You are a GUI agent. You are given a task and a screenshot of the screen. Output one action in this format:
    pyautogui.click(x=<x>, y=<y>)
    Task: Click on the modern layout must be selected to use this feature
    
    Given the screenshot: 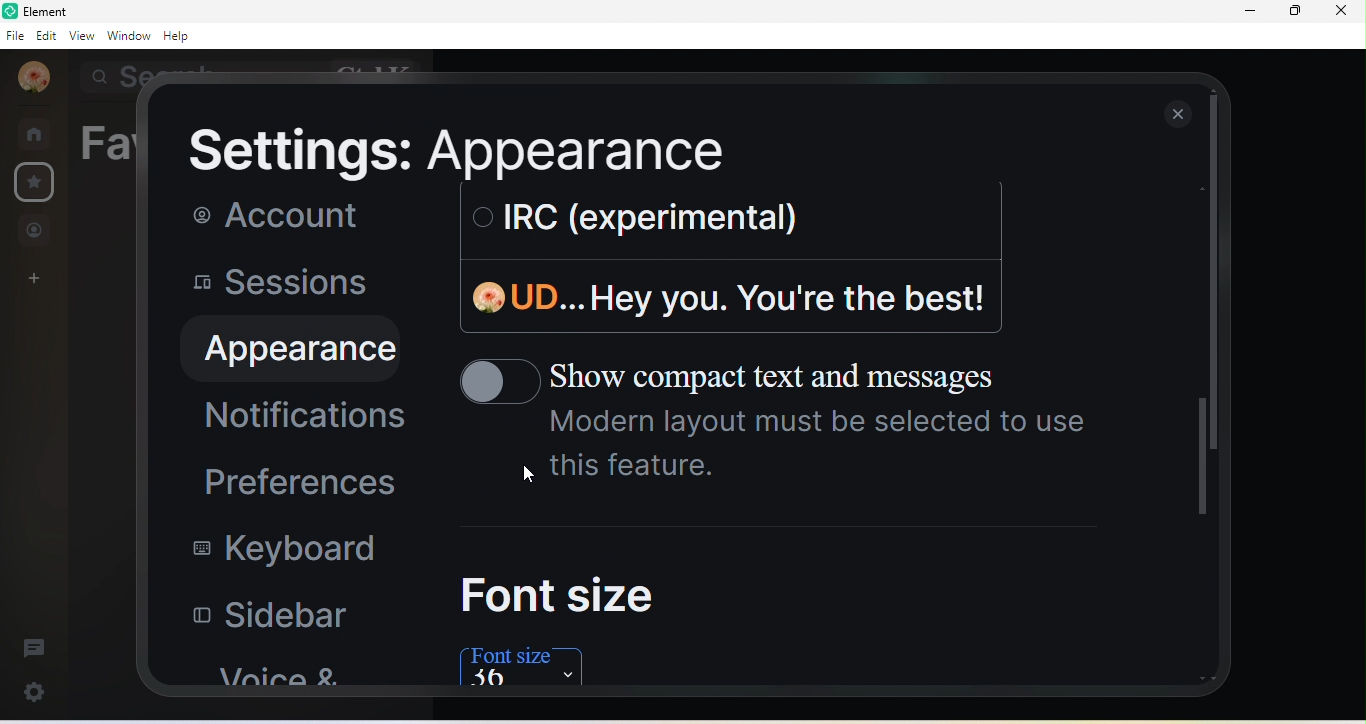 What is the action you would take?
    pyautogui.click(x=823, y=449)
    